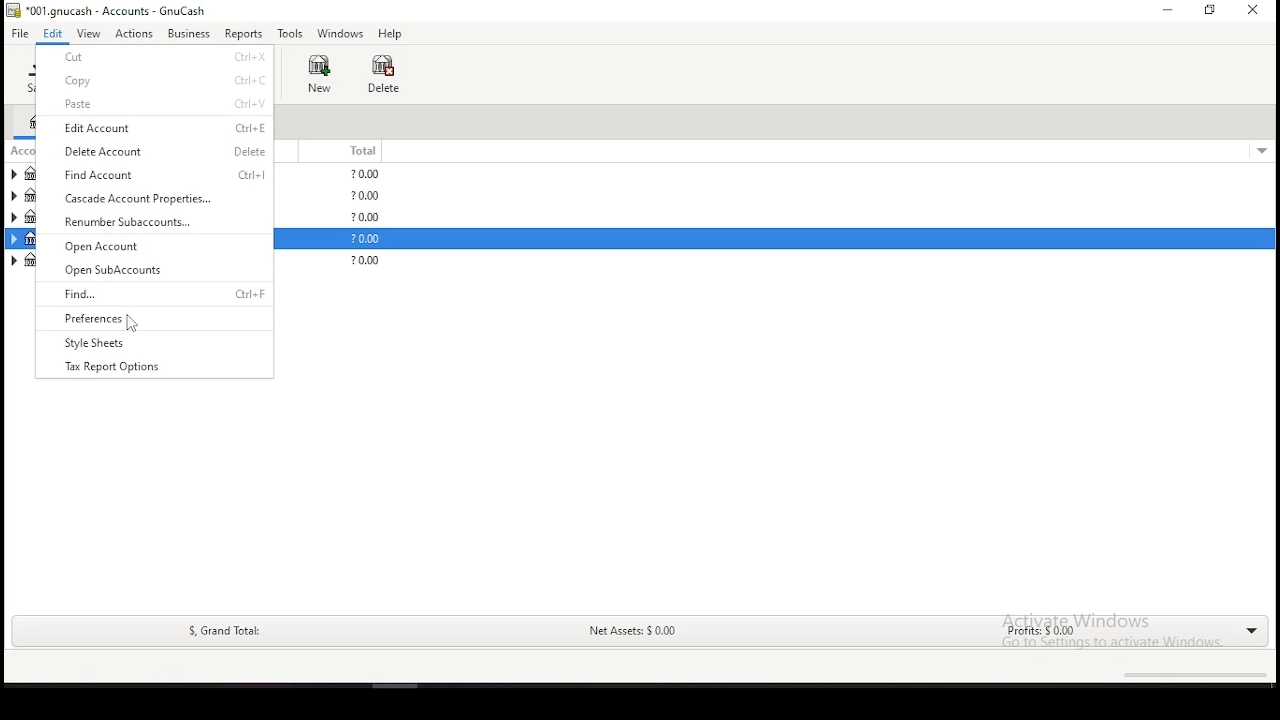  Describe the element at coordinates (158, 294) in the screenshot. I see `find` at that location.